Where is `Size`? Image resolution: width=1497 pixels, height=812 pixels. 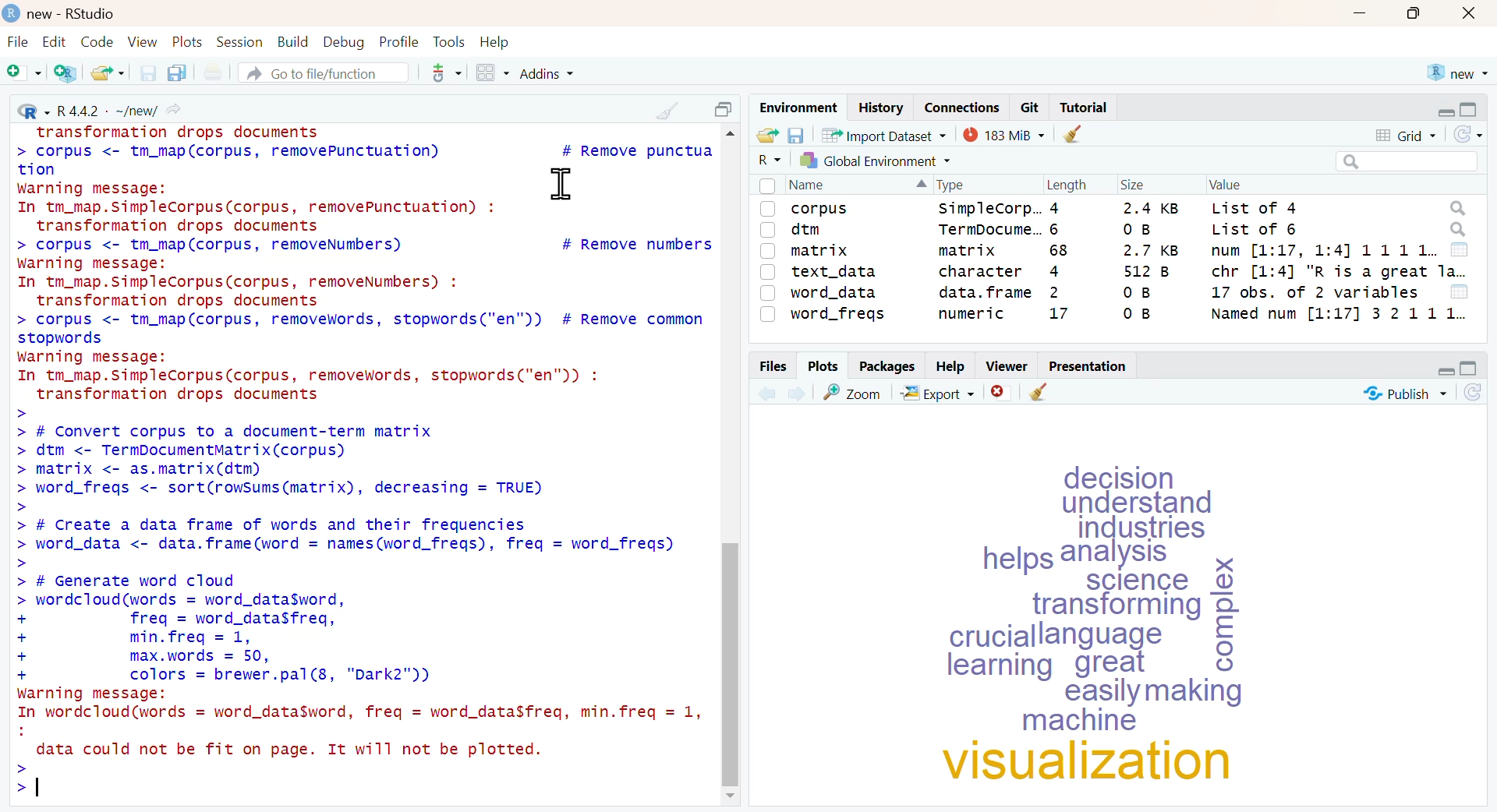 Size is located at coordinates (1131, 185).